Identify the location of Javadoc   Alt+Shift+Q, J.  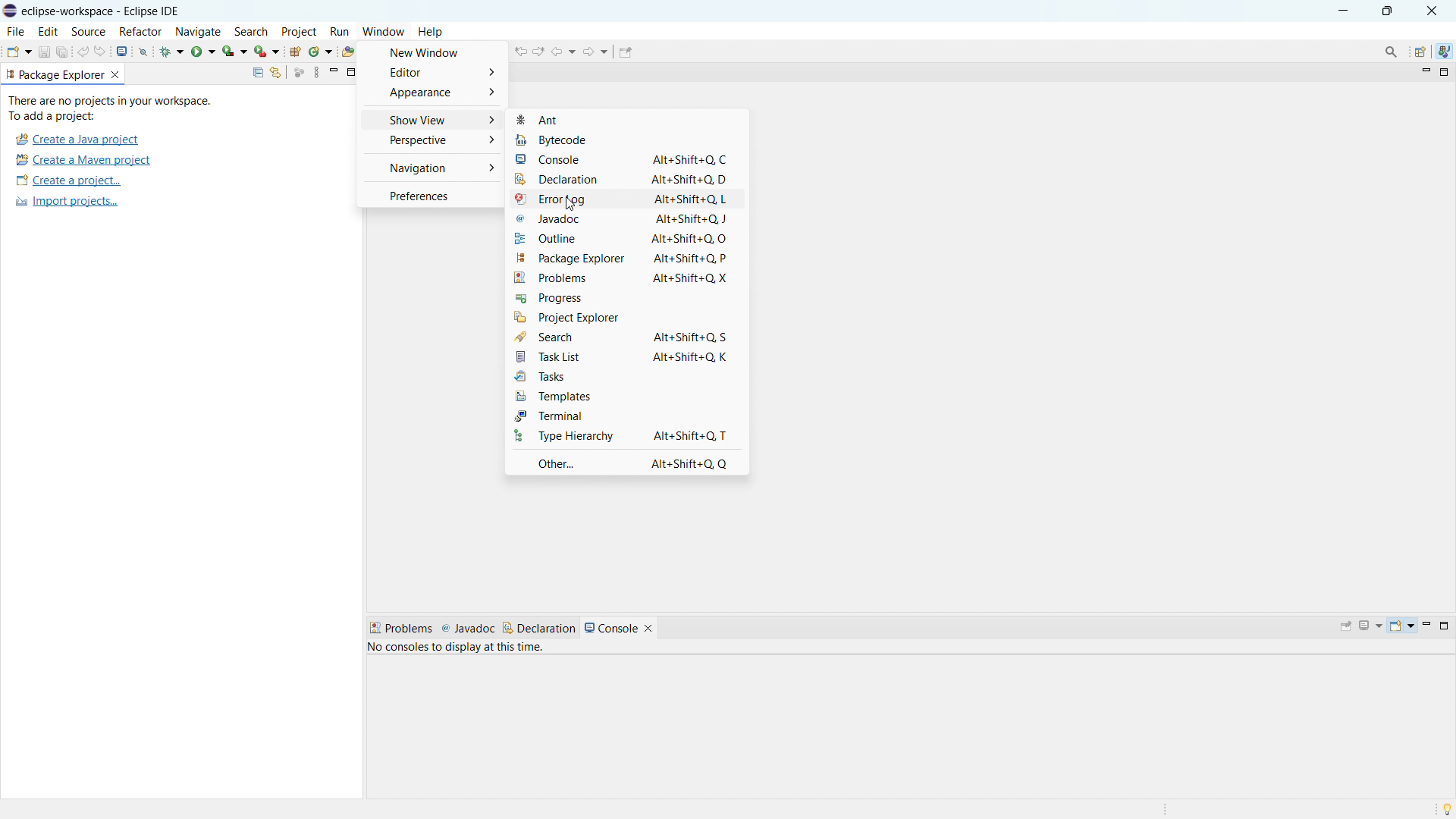
(628, 220).